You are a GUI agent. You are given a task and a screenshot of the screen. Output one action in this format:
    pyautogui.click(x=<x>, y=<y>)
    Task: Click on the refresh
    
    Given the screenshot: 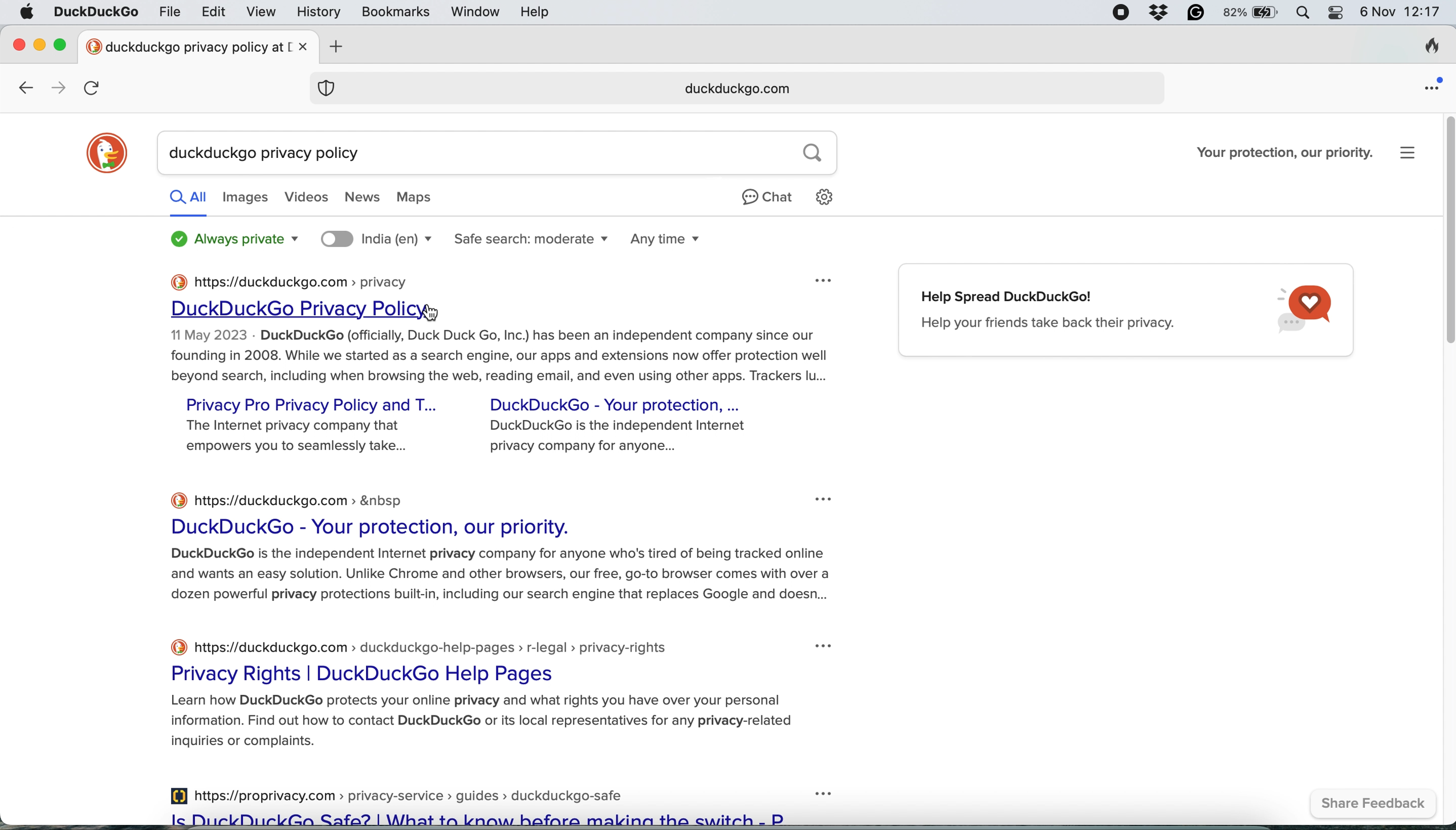 What is the action you would take?
    pyautogui.click(x=95, y=89)
    